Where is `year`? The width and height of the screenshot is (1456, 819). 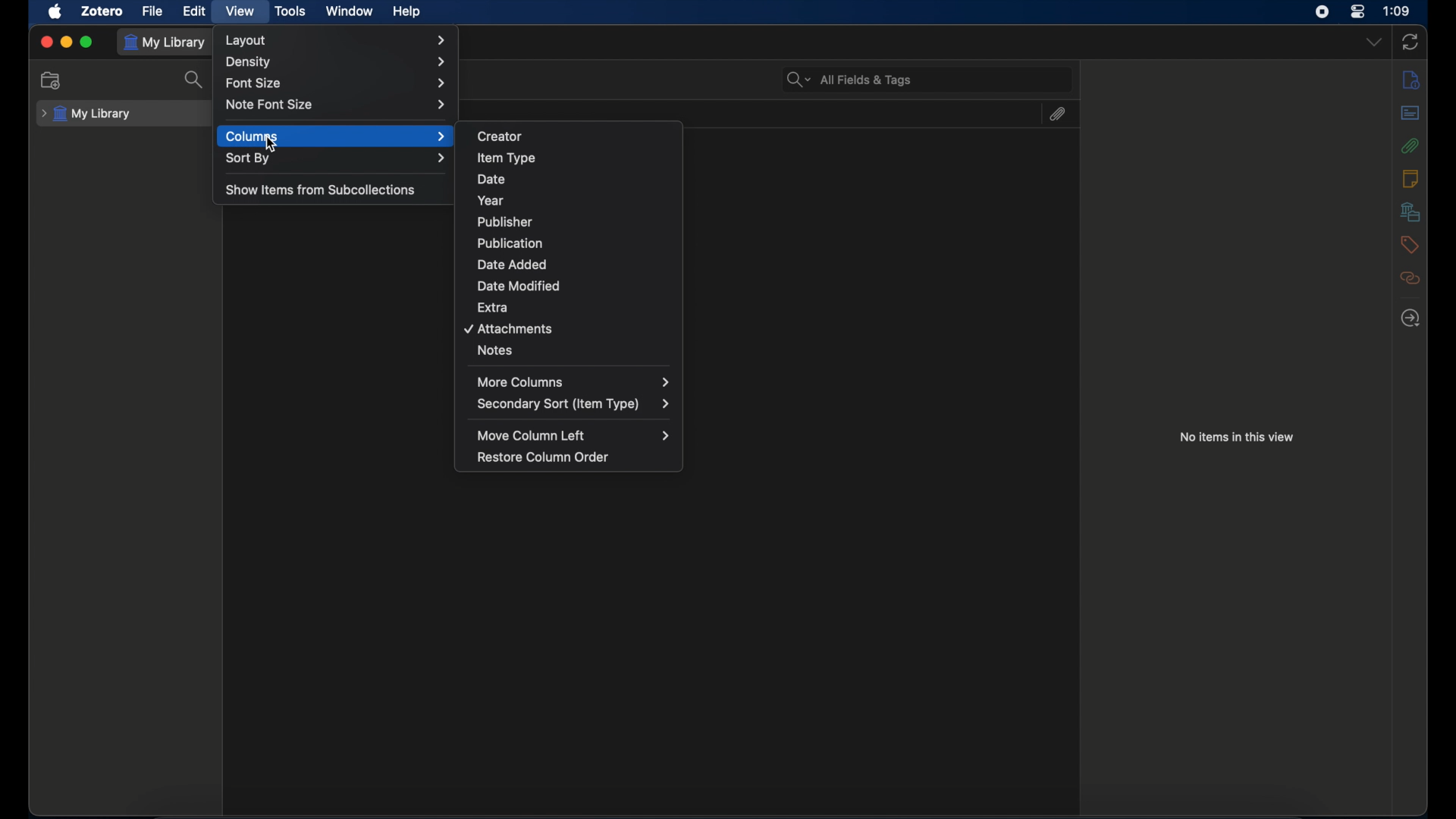
year is located at coordinates (491, 200).